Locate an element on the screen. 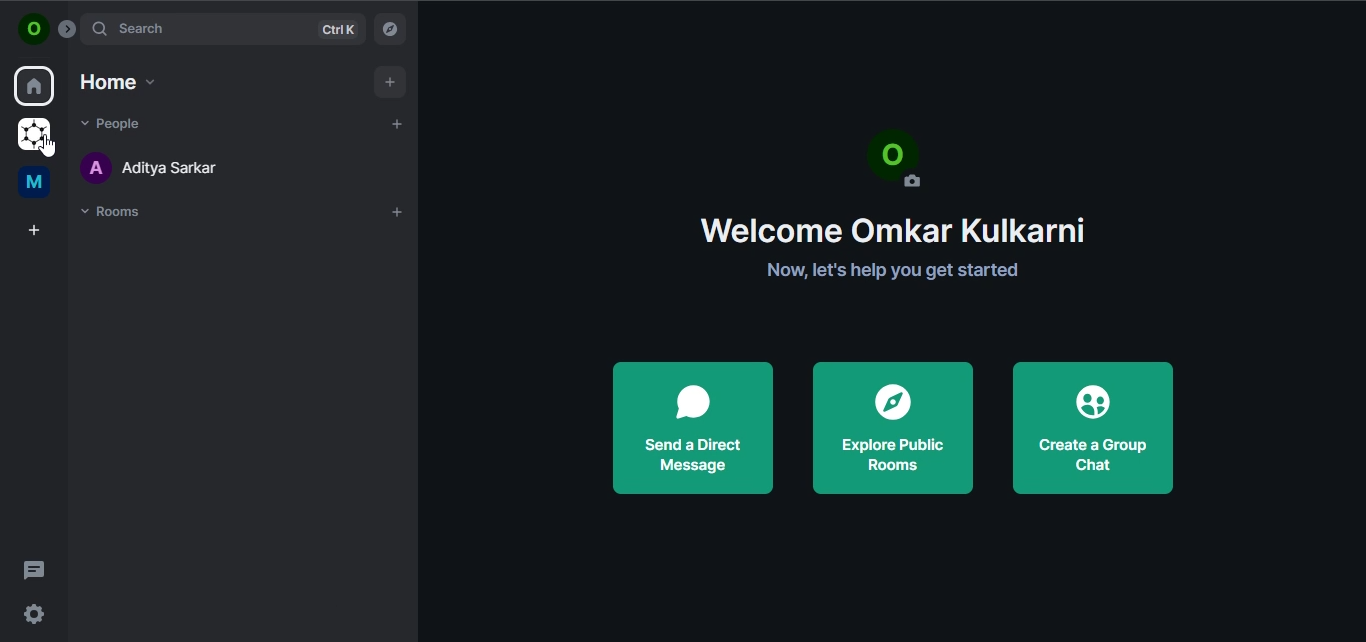 This screenshot has width=1366, height=642. quicker settings is located at coordinates (32, 612).